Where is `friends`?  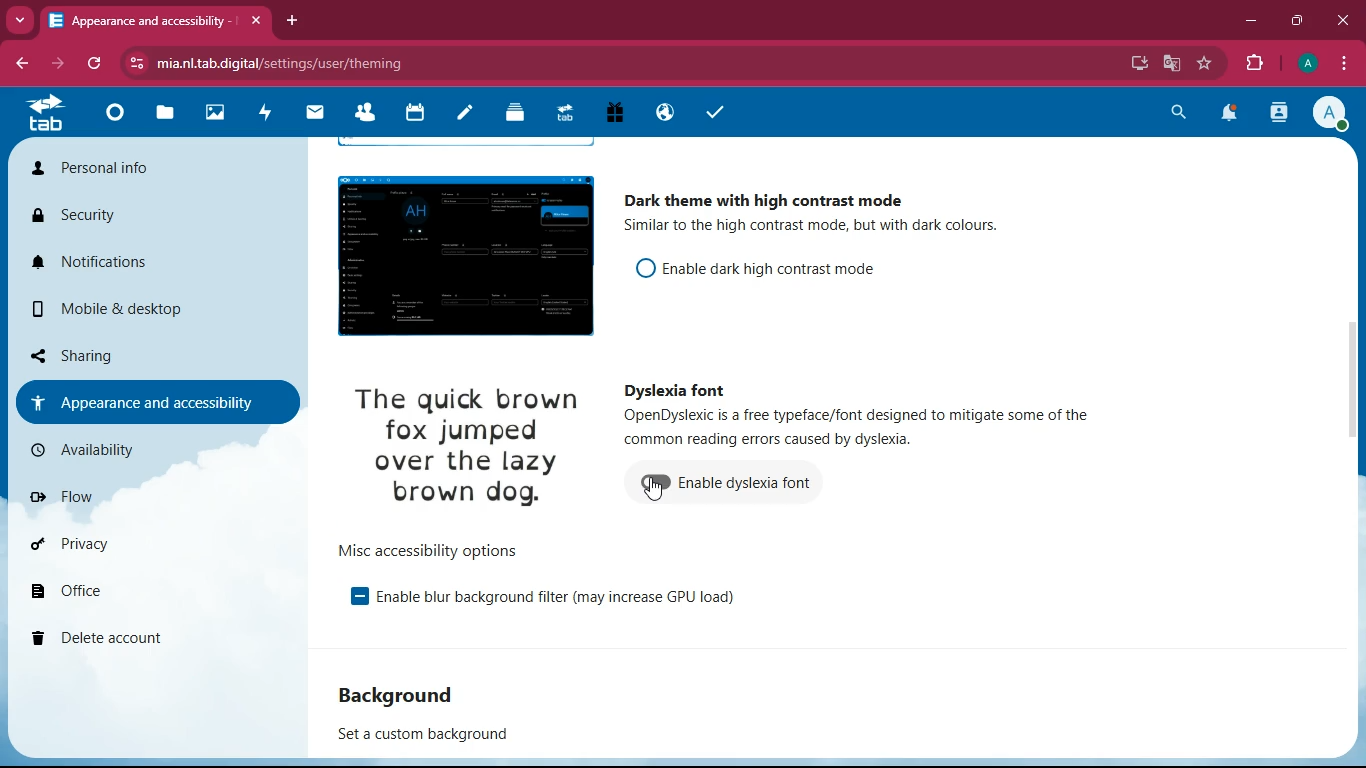
friends is located at coordinates (371, 112).